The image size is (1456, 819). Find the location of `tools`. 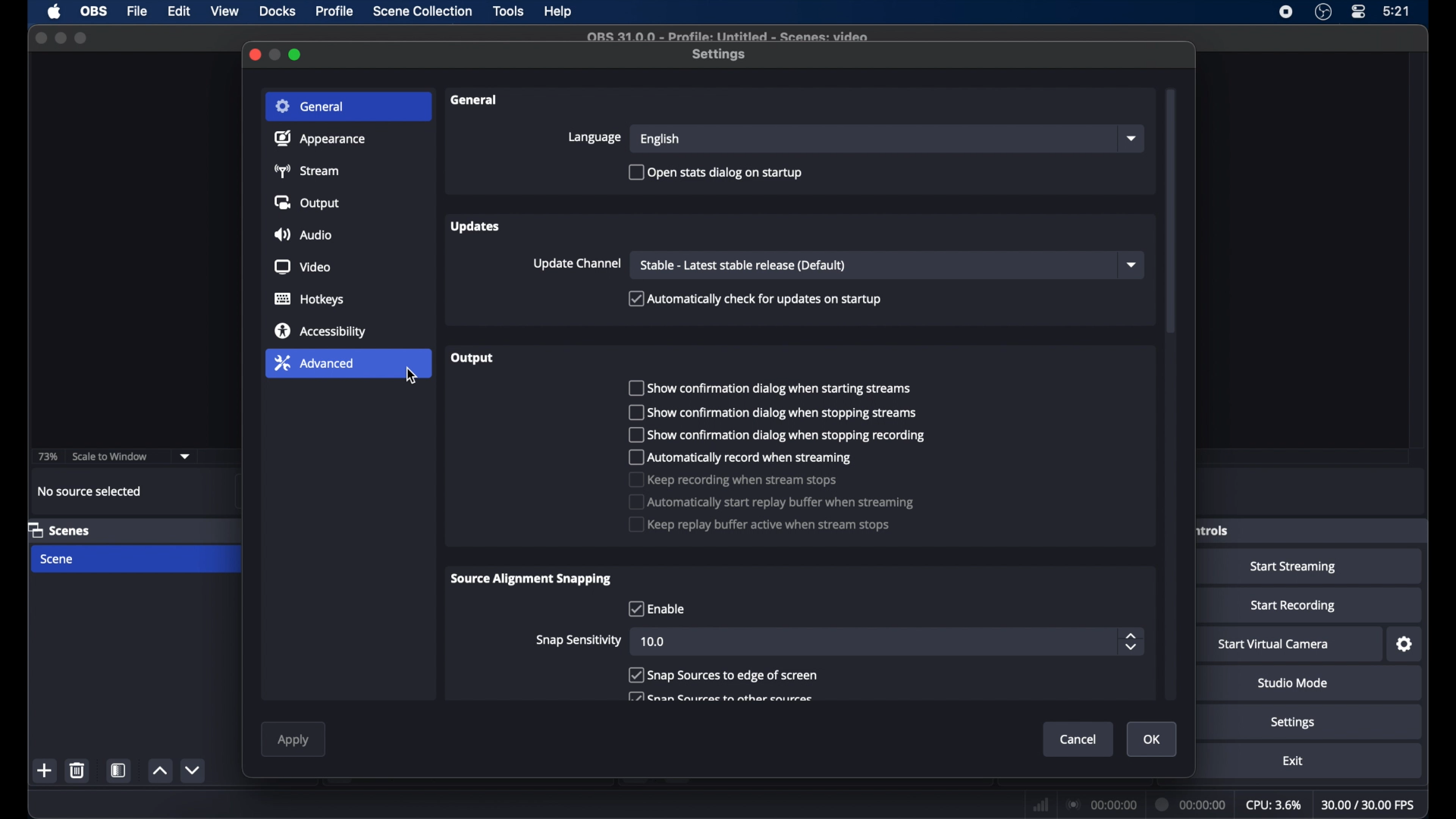

tools is located at coordinates (510, 11).